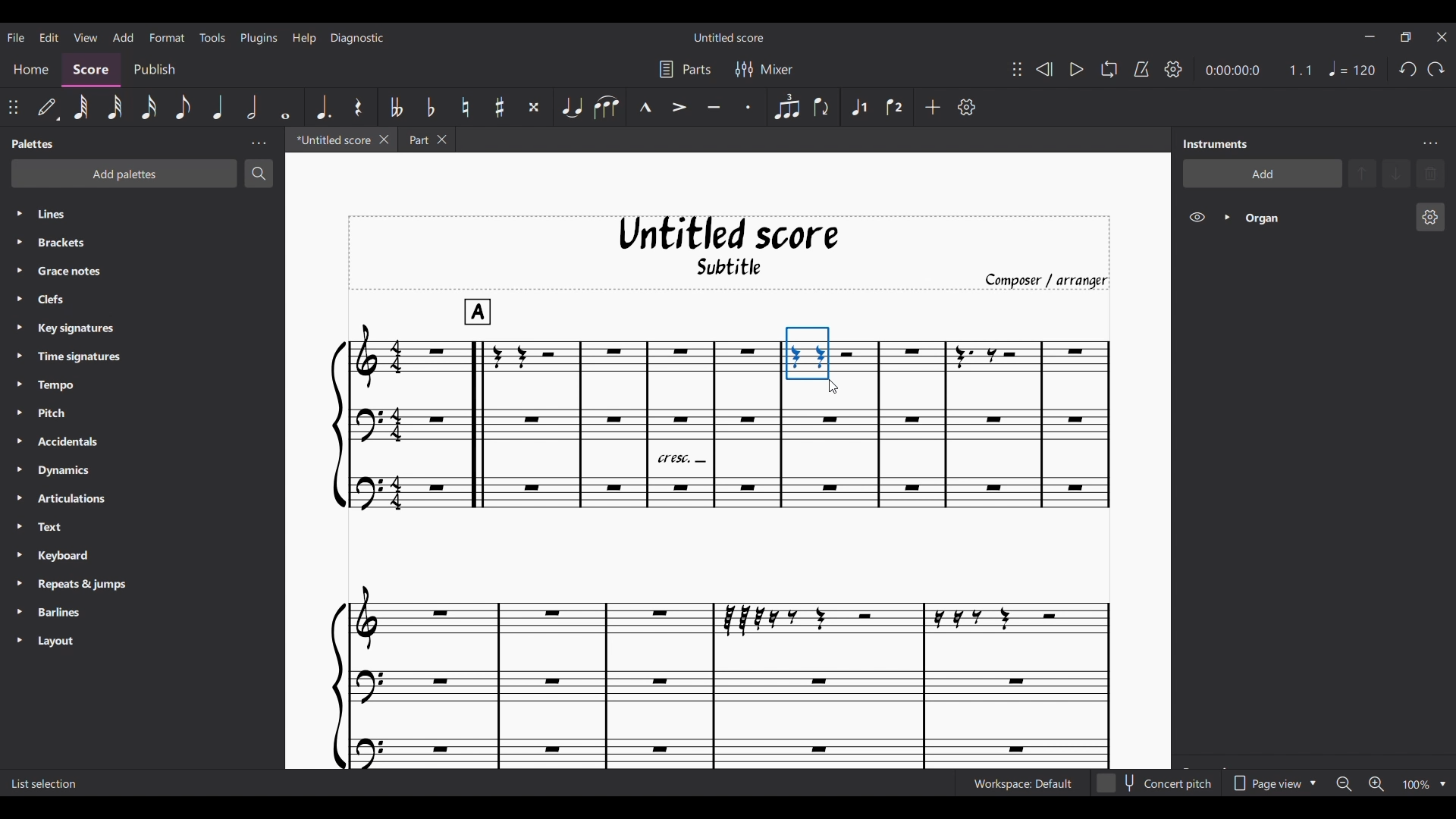 The image size is (1456, 819). I want to click on Current workspace setting, so click(1022, 784).